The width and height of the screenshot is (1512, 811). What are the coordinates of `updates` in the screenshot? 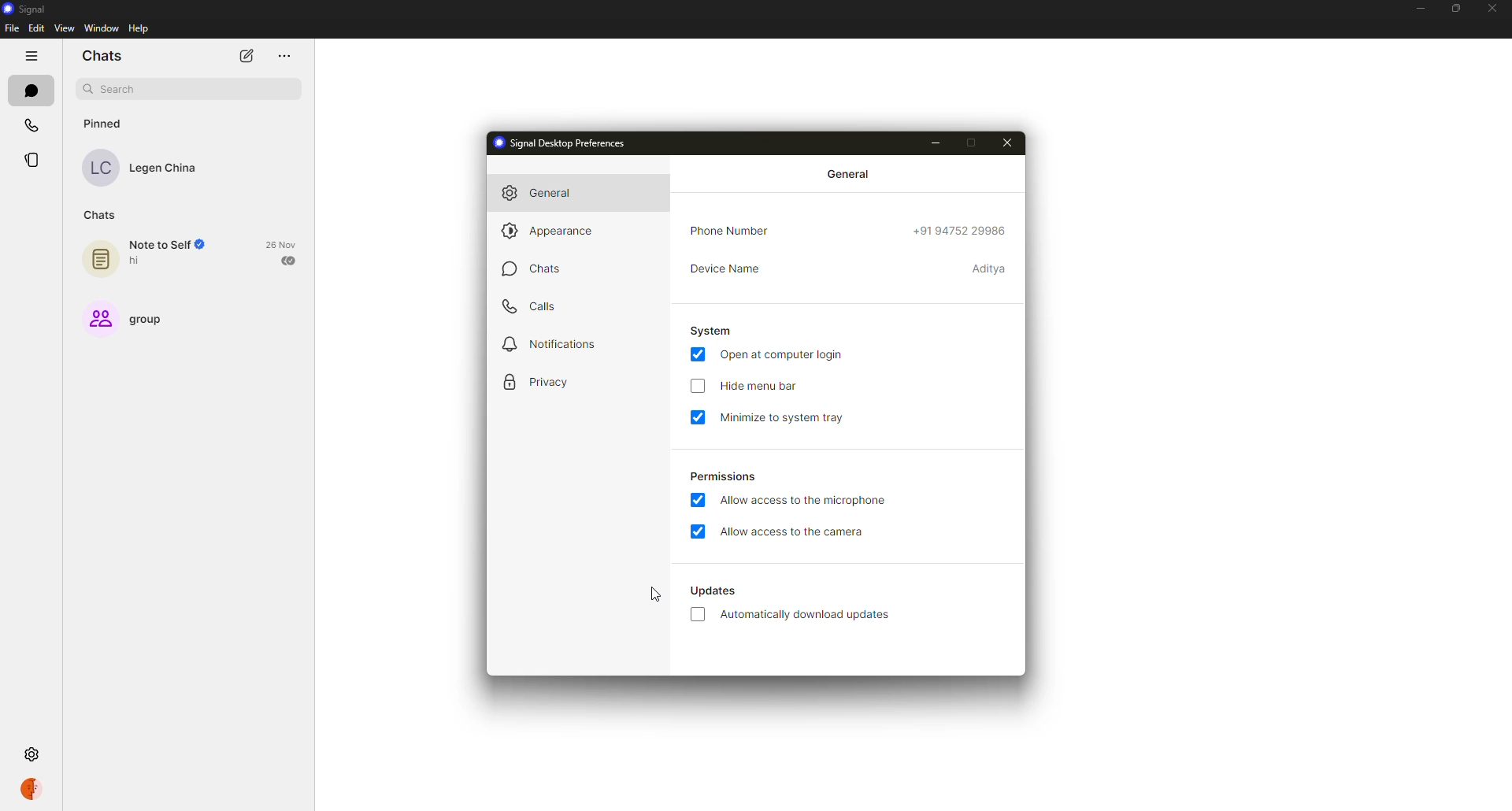 It's located at (716, 591).